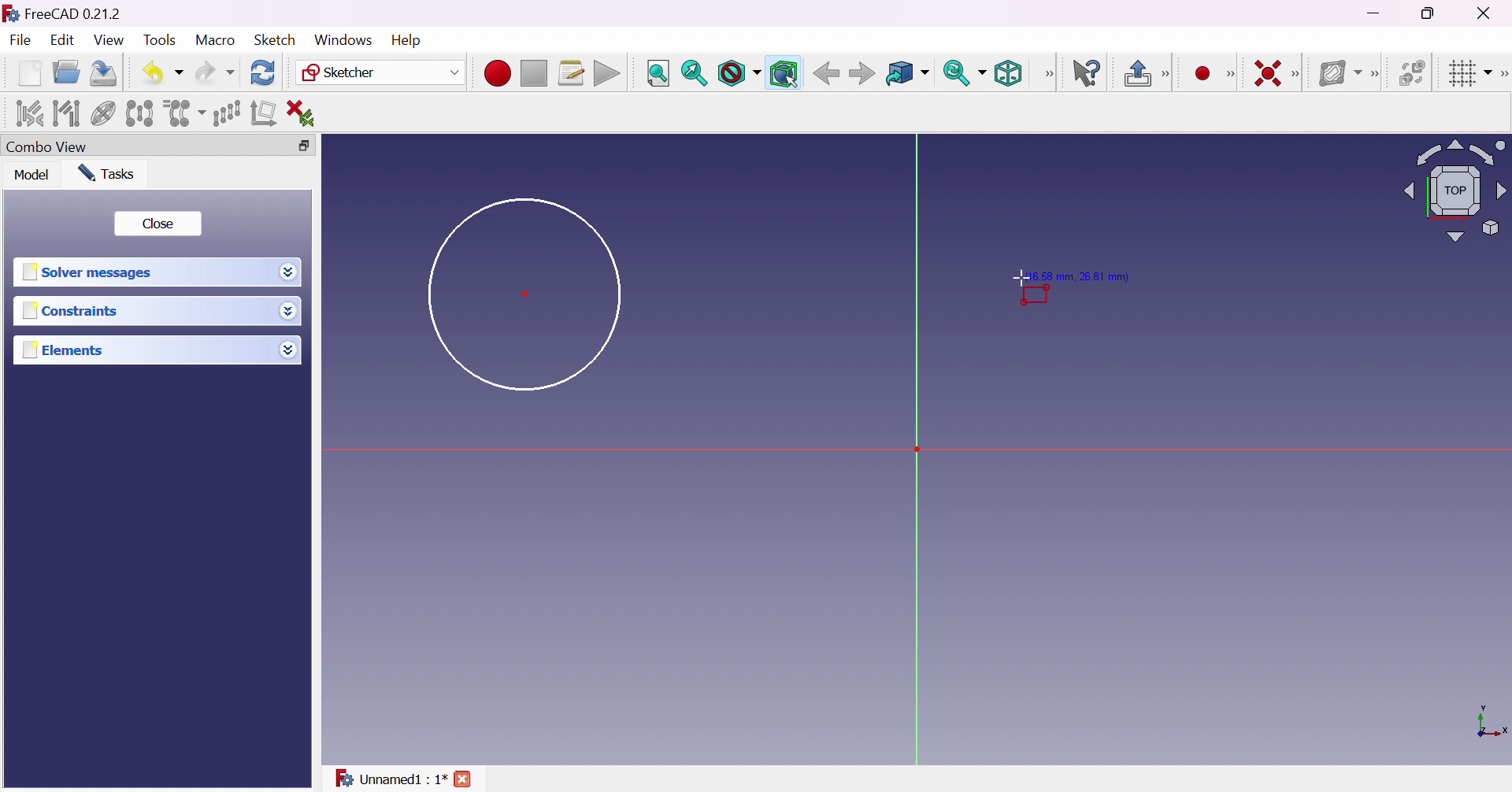  What do you see at coordinates (1377, 13) in the screenshot?
I see `Minimize` at bounding box center [1377, 13].